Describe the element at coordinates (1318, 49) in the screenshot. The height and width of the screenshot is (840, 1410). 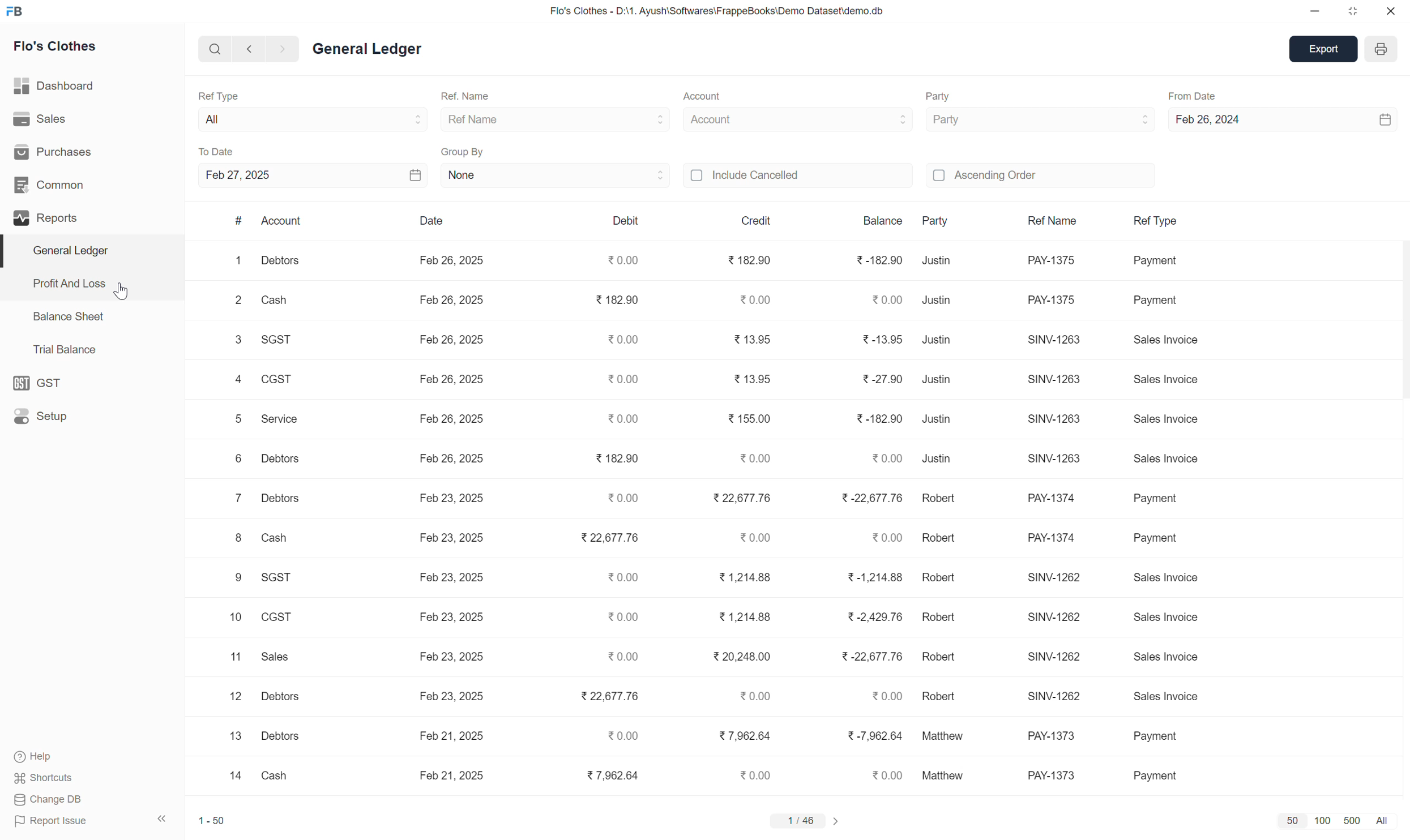
I see `Export` at that location.